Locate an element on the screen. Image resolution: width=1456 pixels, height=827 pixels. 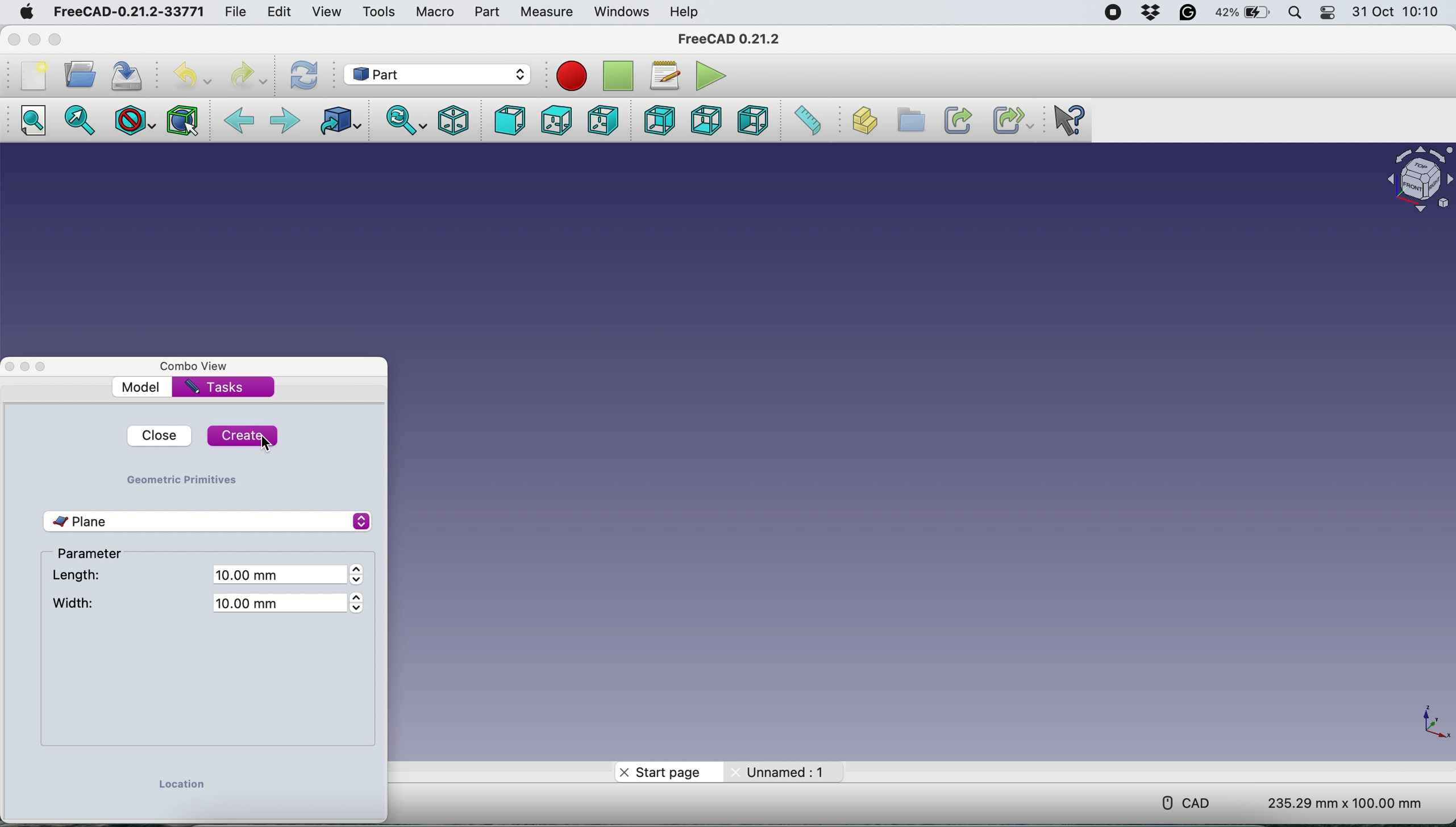
Measure distance is located at coordinates (806, 122).